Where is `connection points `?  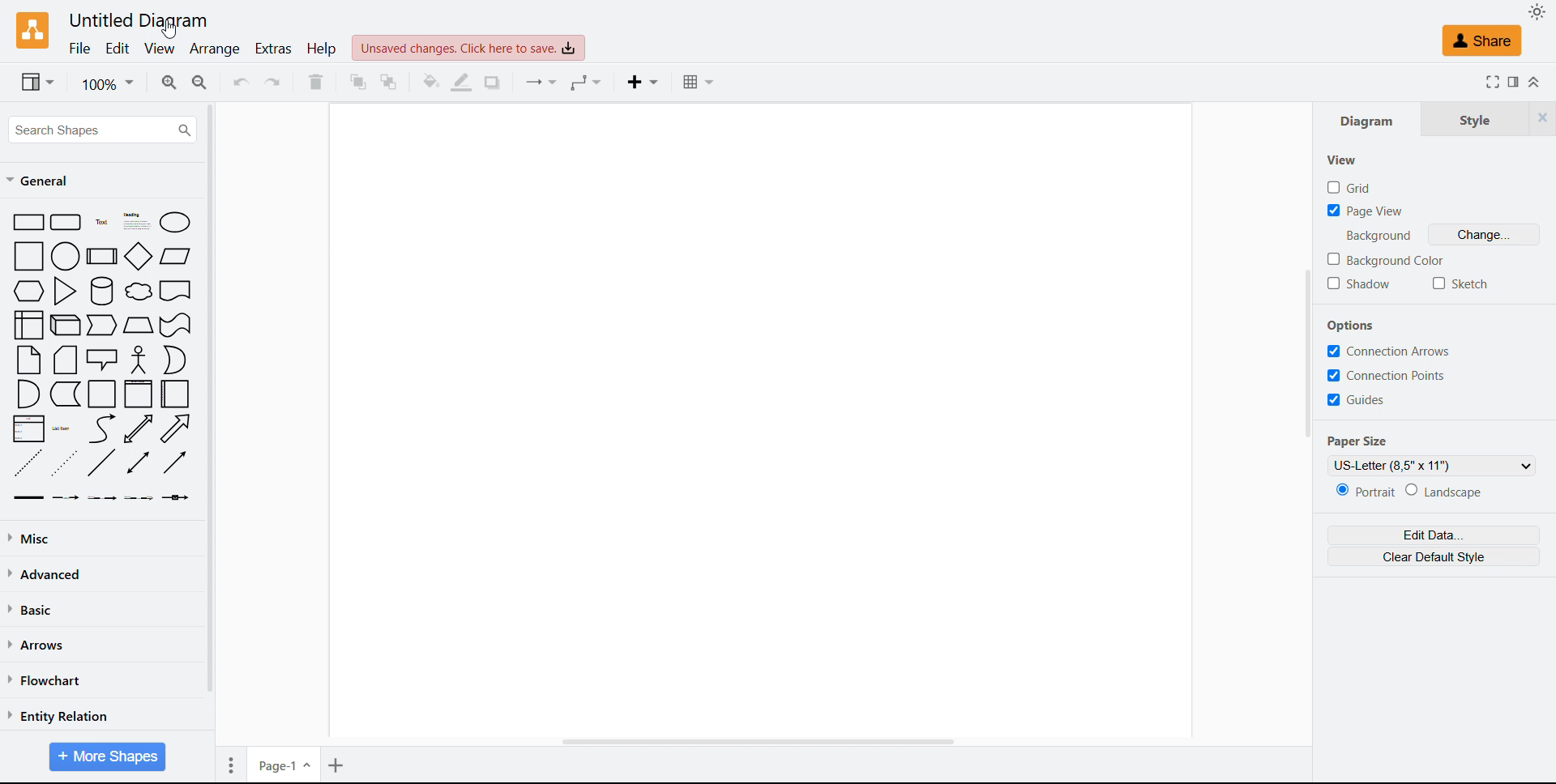 connection points  is located at coordinates (1390, 377).